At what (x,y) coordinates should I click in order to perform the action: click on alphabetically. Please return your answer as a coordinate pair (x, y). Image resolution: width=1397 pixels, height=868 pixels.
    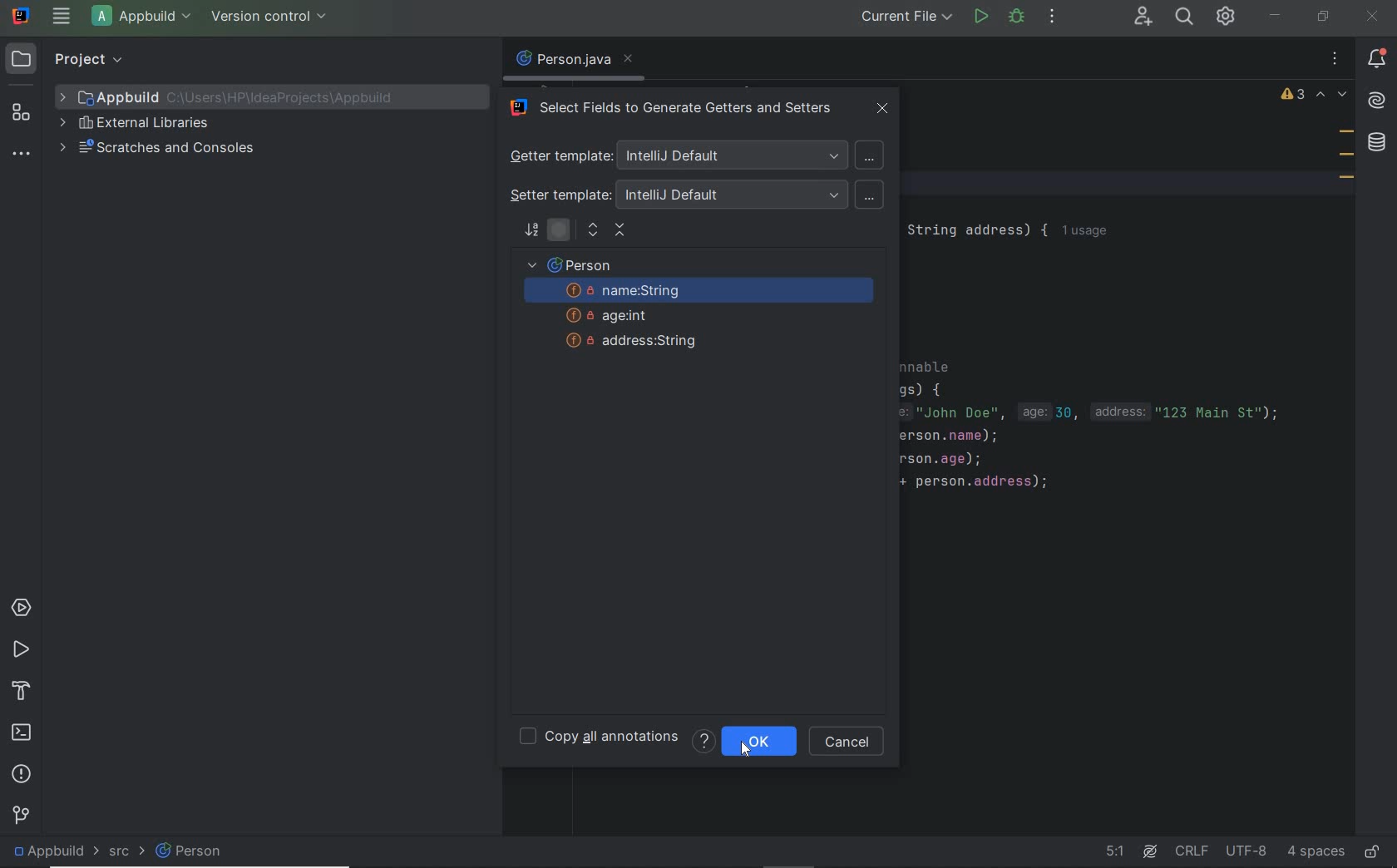
    Looking at the image, I should click on (531, 232).